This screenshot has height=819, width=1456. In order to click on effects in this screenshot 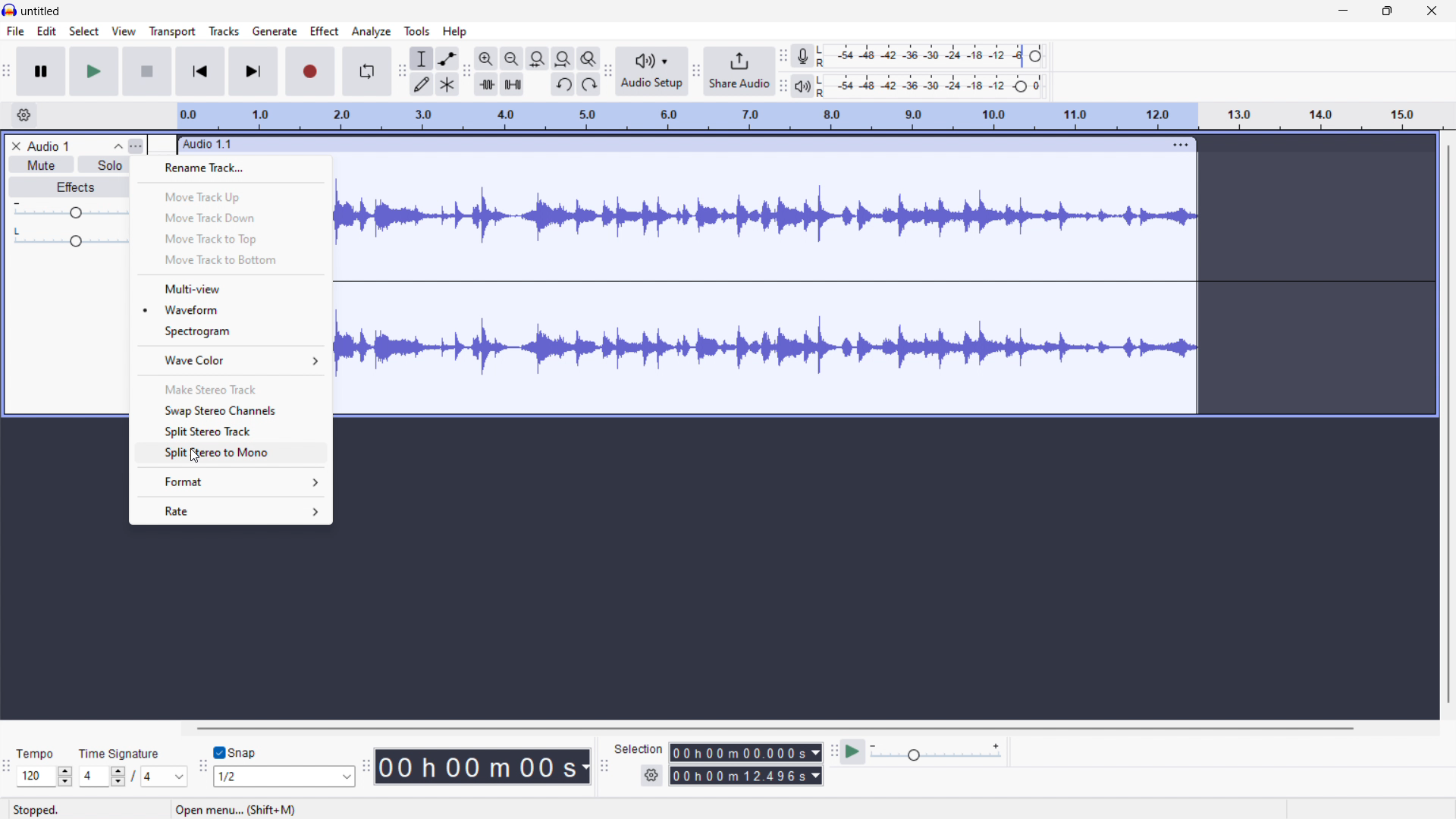, I will do `click(68, 187)`.